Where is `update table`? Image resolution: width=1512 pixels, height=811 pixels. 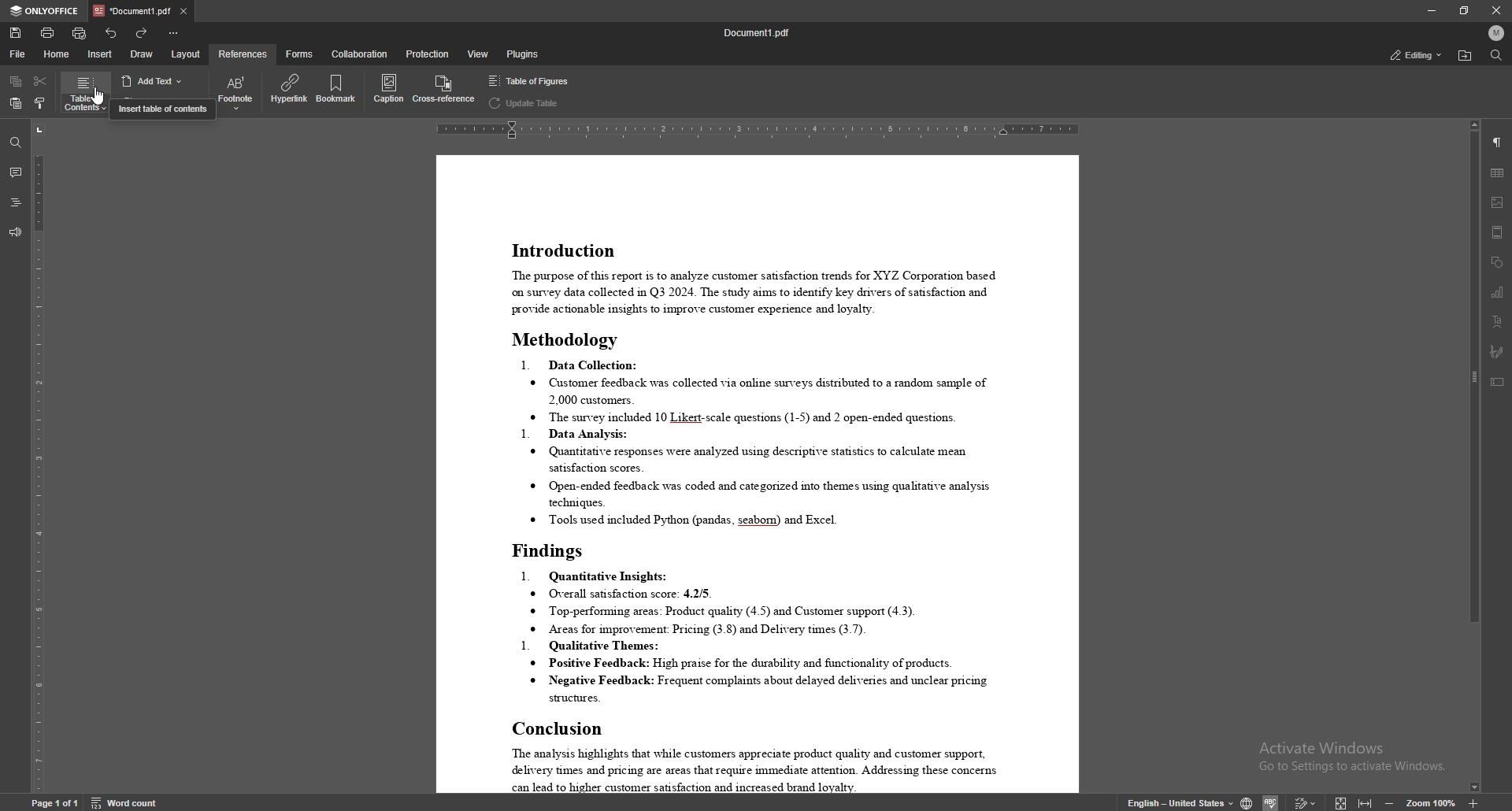 update table is located at coordinates (161, 103).